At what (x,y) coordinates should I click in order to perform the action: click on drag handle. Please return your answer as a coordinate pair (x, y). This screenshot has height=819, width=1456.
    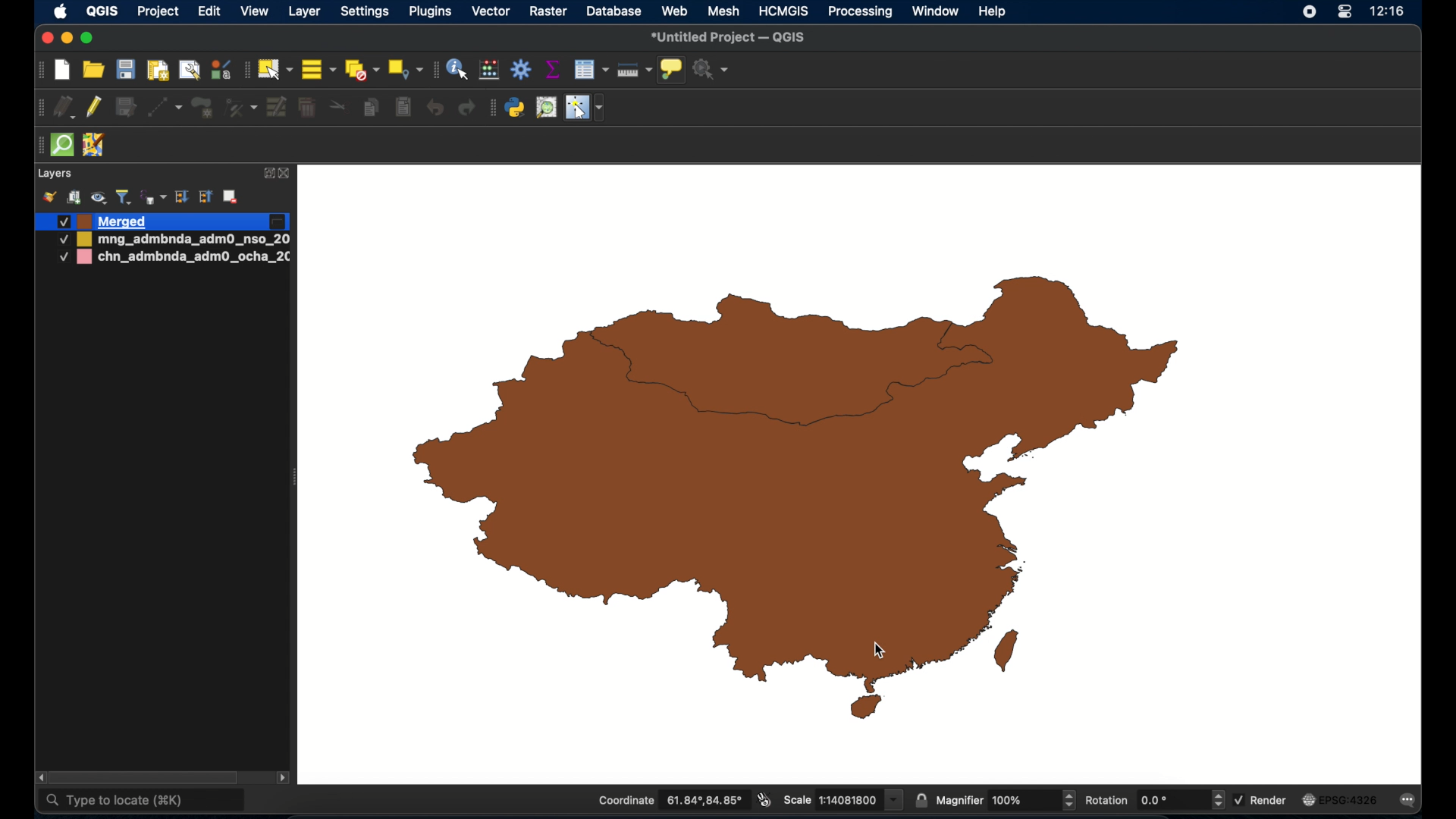
    Looking at the image, I should click on (36, 146).